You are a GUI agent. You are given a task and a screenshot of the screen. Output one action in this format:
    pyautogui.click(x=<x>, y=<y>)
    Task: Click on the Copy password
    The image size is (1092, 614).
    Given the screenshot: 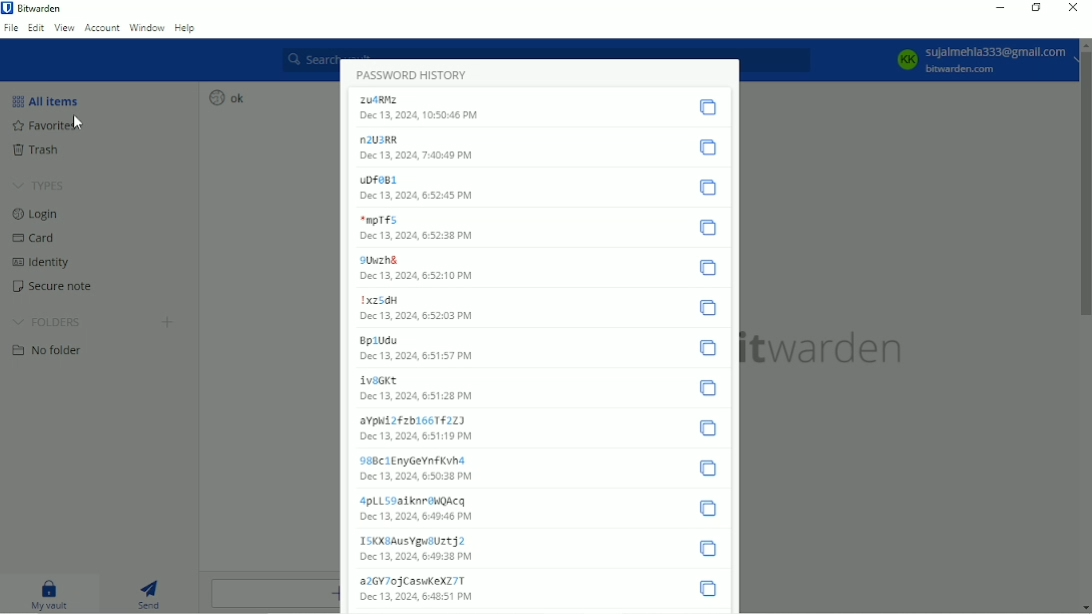 What is the action you would take?
    pyautogui.click(x=710, y=229)
    